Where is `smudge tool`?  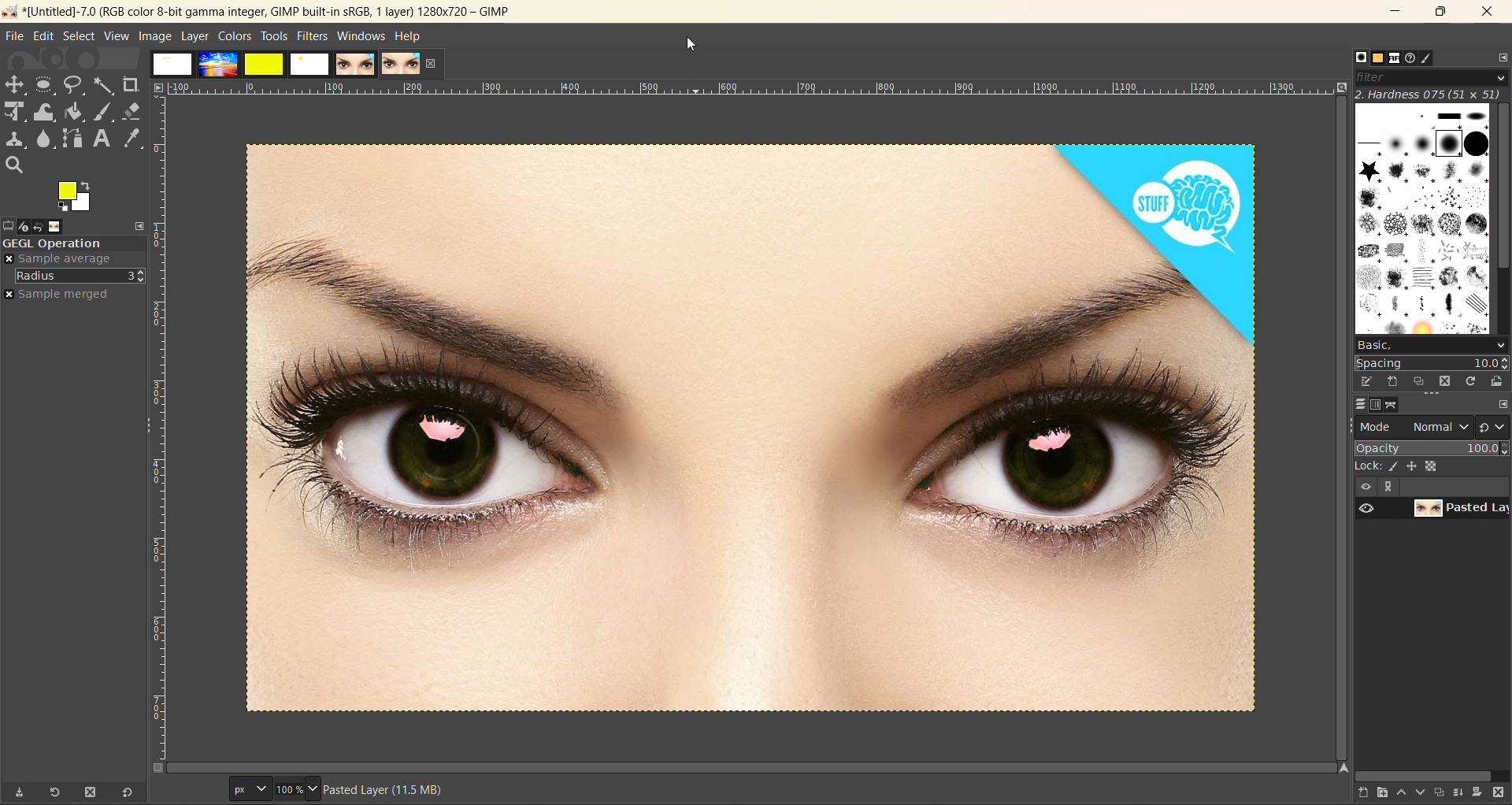 smudge tool is located at coordinates (45, 139).